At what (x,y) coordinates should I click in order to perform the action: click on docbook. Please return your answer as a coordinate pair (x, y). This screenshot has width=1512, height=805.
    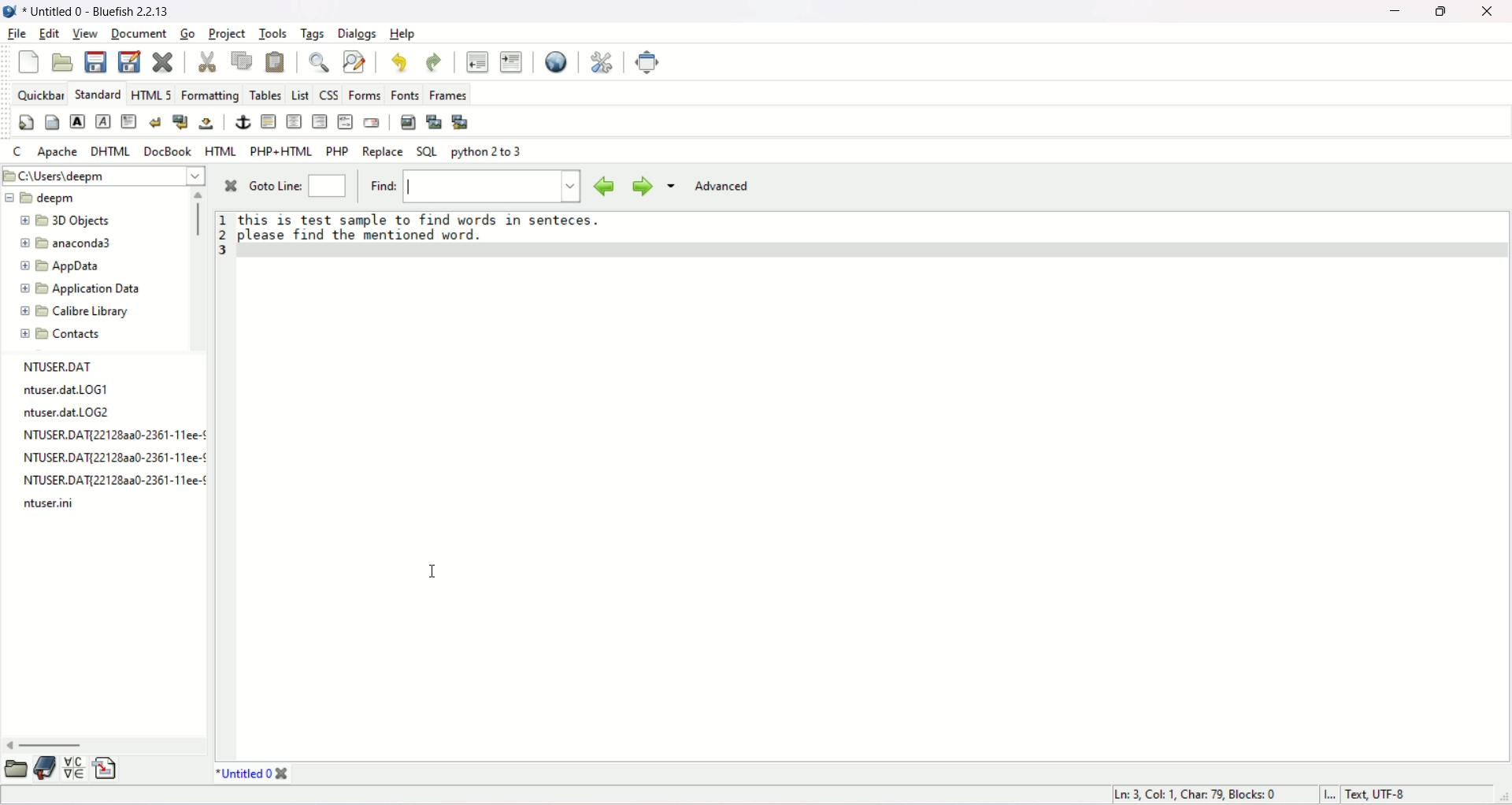
    Looking at the image, I should click on (169, 152).